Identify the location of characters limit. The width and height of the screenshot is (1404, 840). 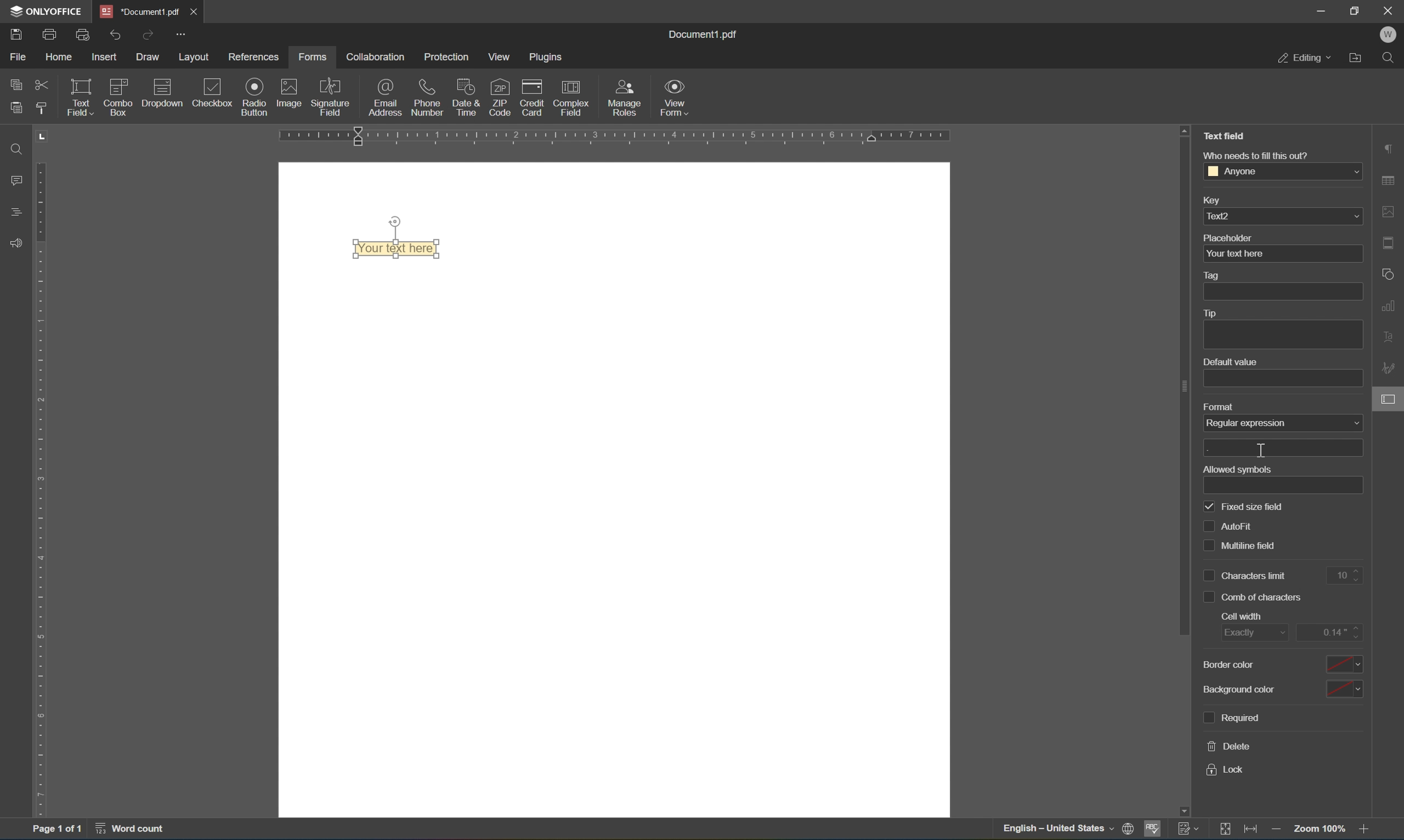
(1242, 576).